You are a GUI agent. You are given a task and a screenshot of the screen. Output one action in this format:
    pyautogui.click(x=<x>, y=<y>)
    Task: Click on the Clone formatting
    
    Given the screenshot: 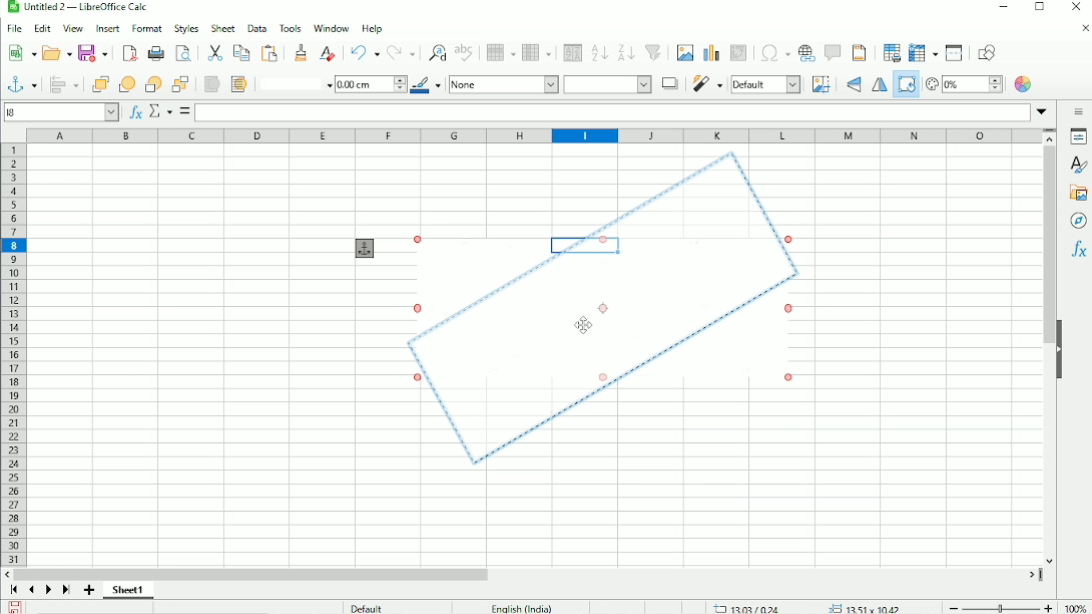 What is the action you would take?
    pyautogui.click(x=299, y=53)
    